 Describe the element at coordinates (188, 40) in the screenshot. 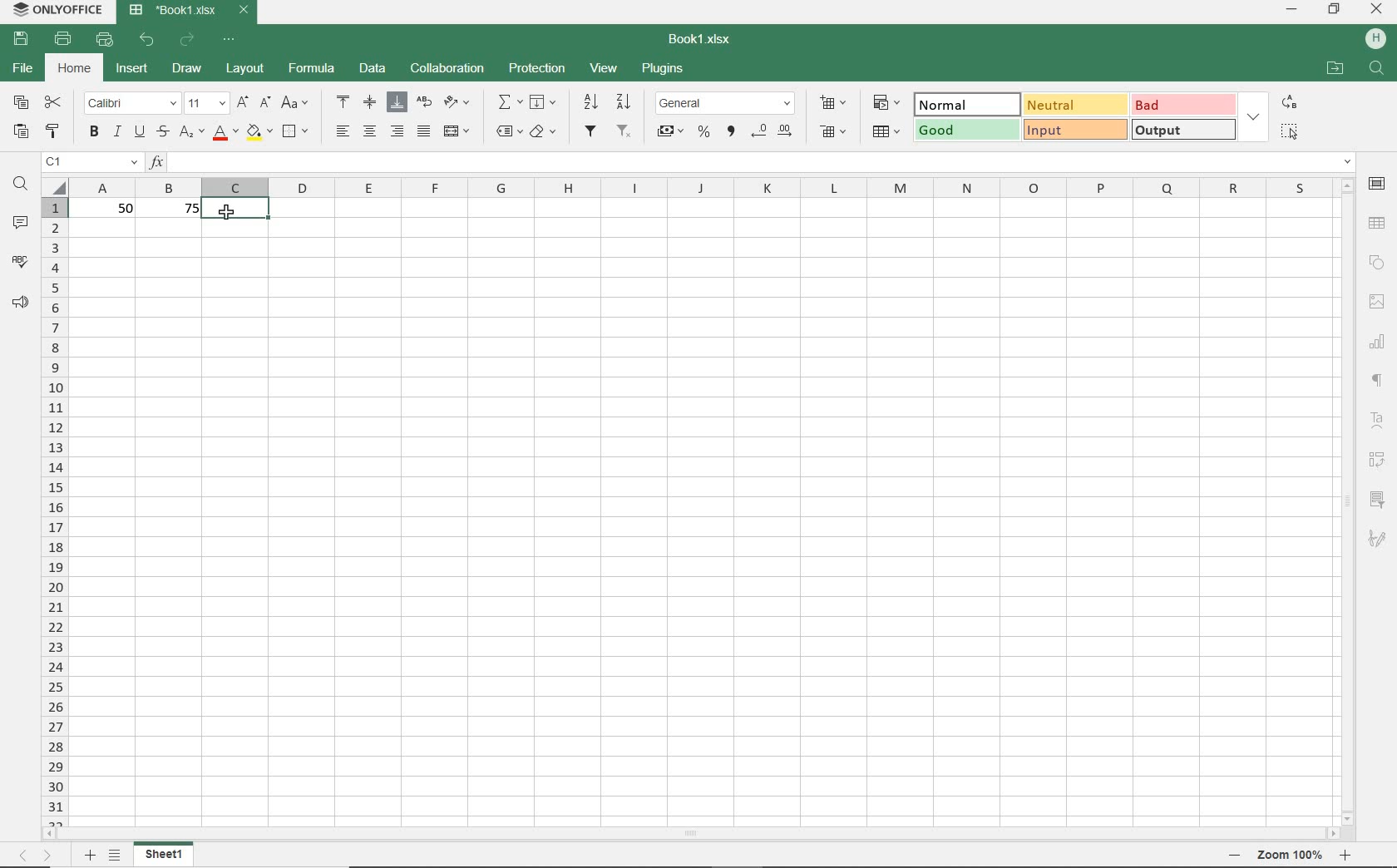

I see `redo` at that location.